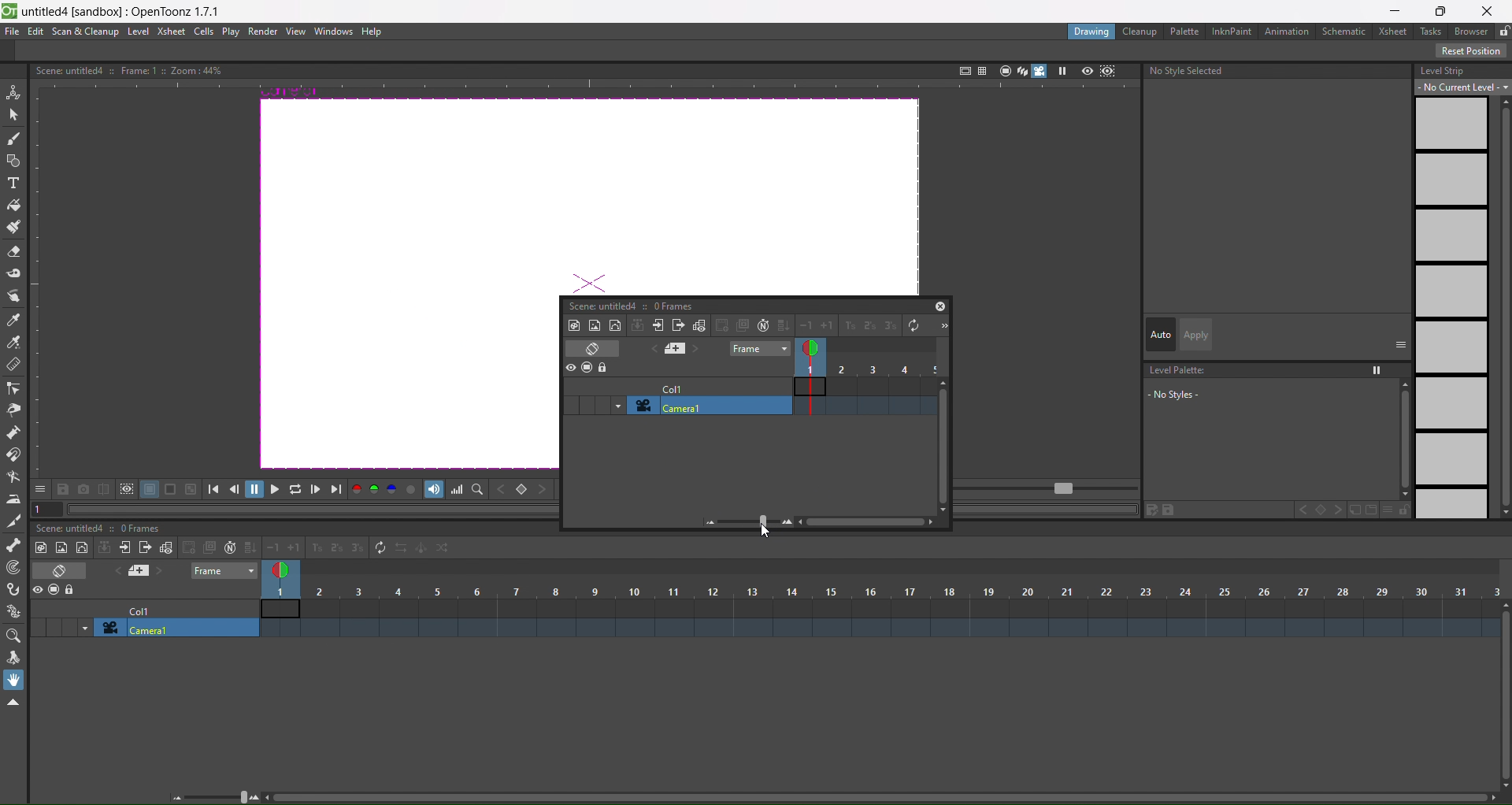  Describe the element at coordinates (1195, 335) in the screenshot. I see `apply` at that location.